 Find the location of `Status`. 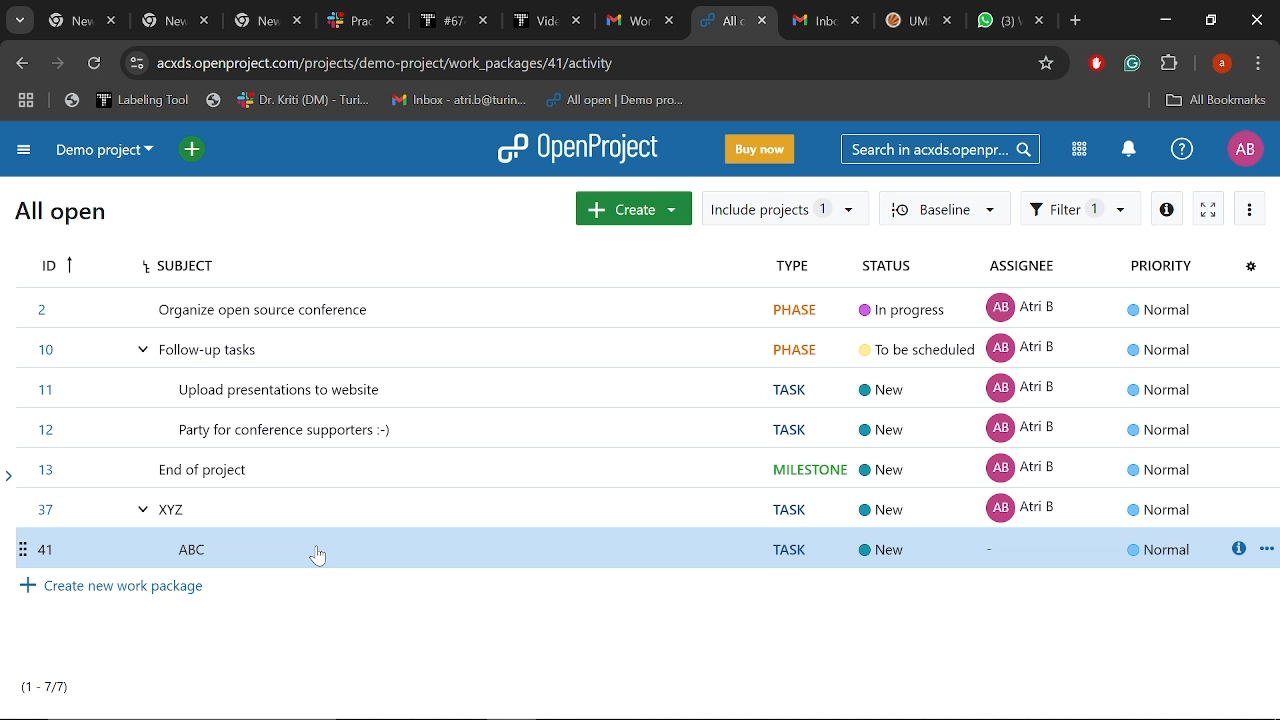

Status is located at coordinates (906, 267).